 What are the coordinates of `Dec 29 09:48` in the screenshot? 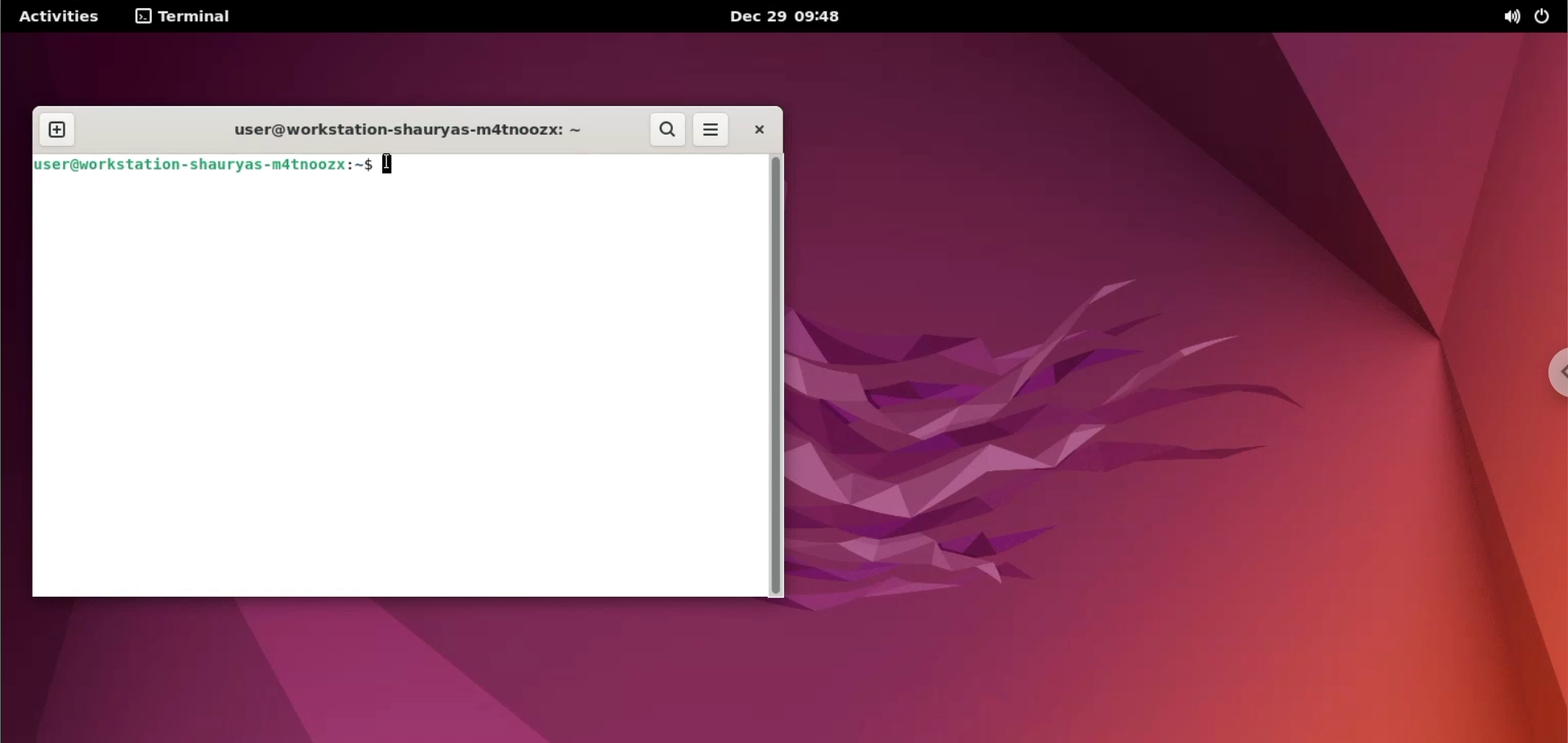 It's located at (803, 16).